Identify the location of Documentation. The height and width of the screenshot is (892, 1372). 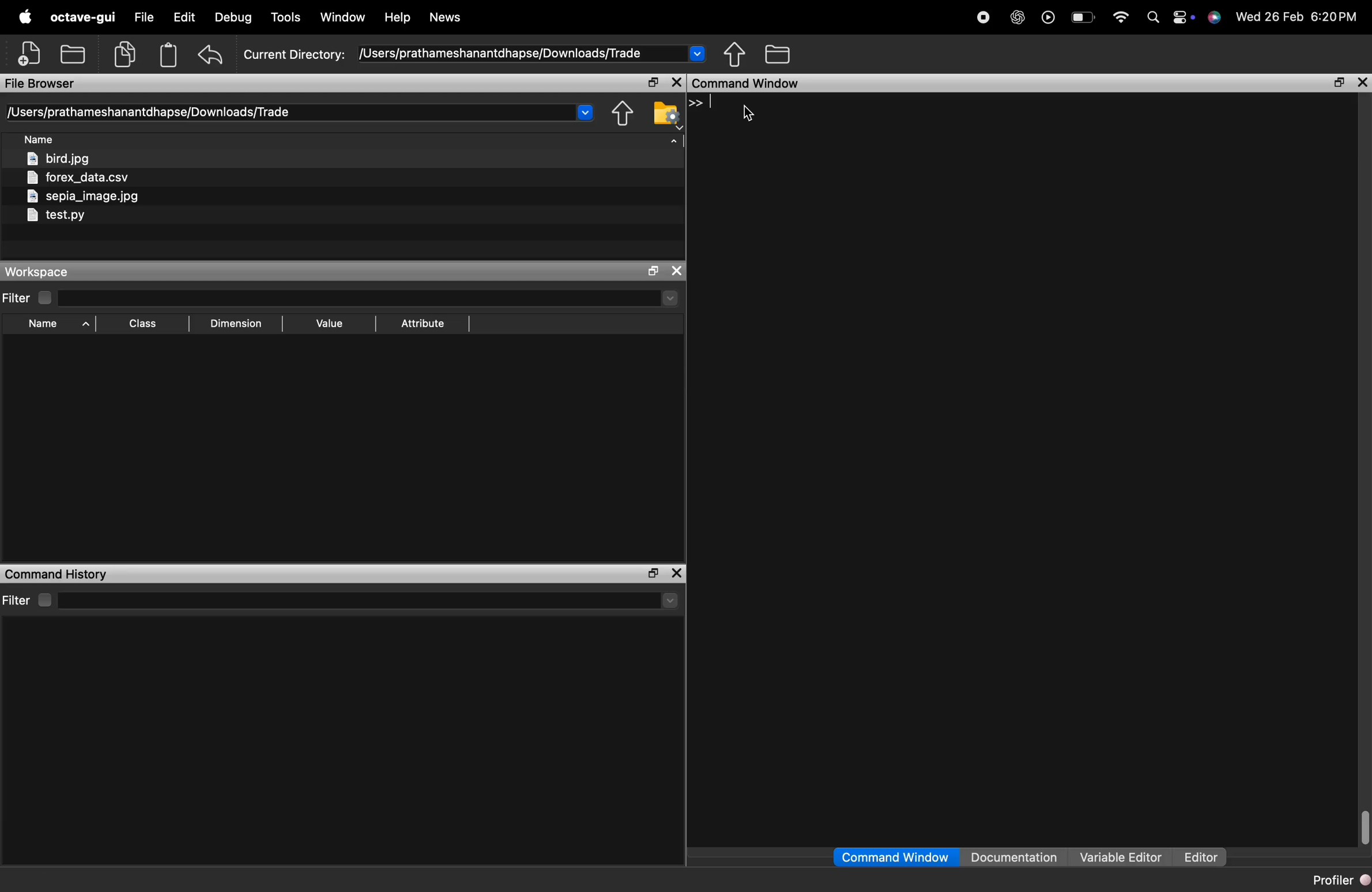
(1013, 856).